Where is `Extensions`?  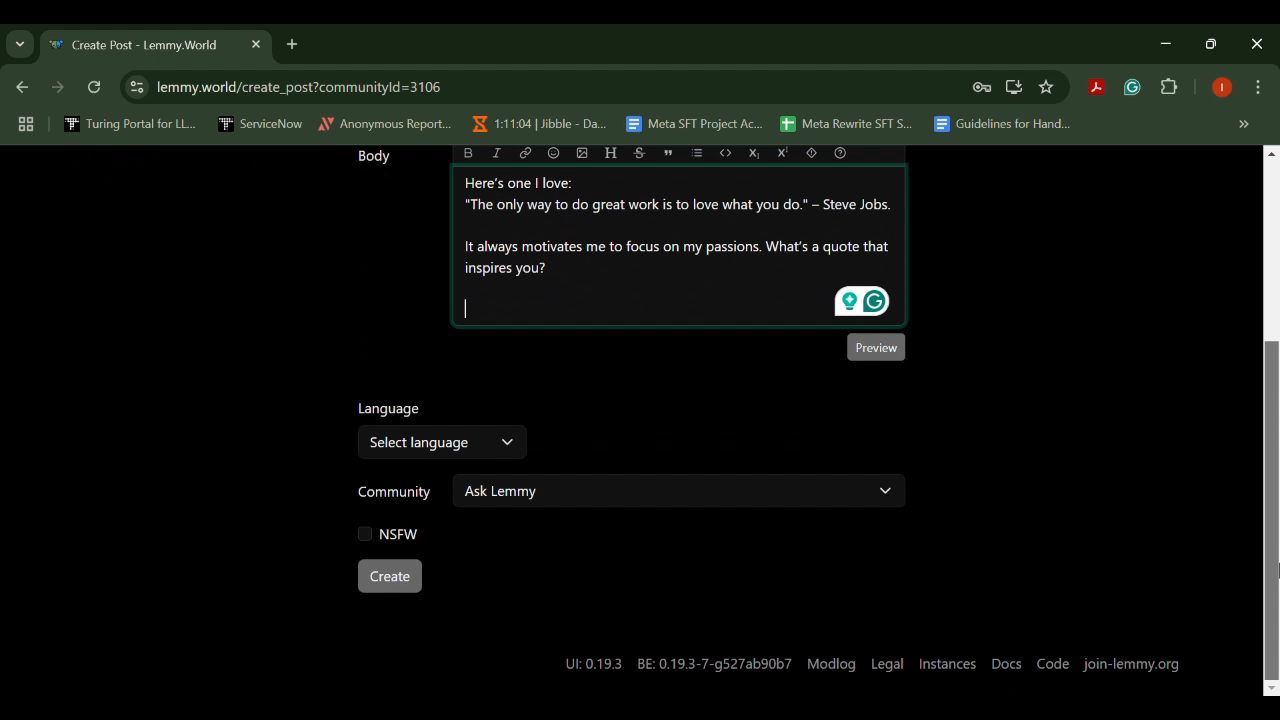 Extensions is located at coordinates (1170, 88).